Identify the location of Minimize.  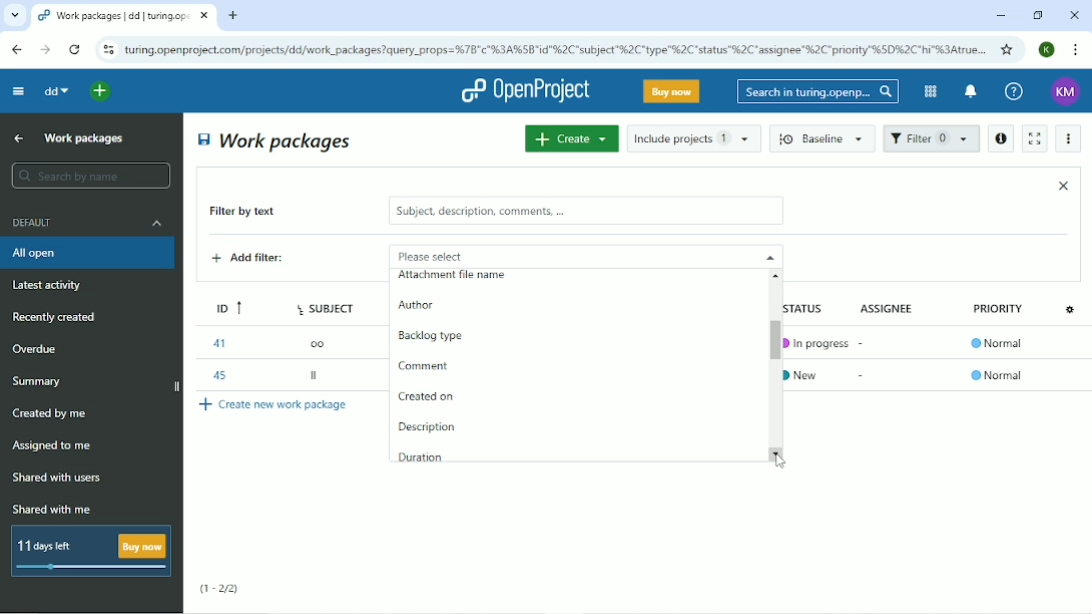
(1000, 16).